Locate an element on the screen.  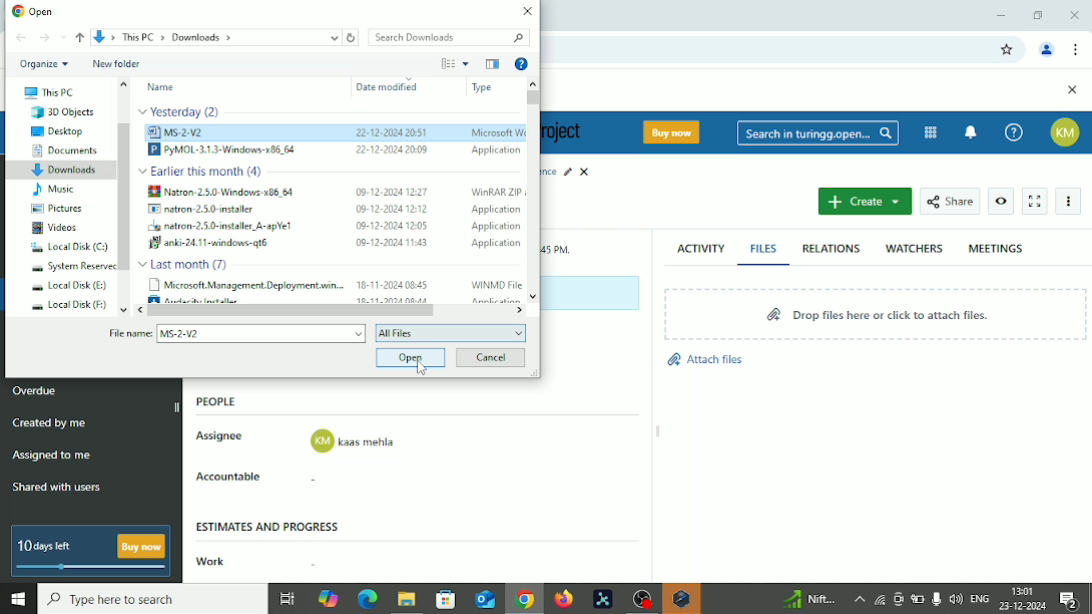
Recent locations is located at coordinates (61, 35).